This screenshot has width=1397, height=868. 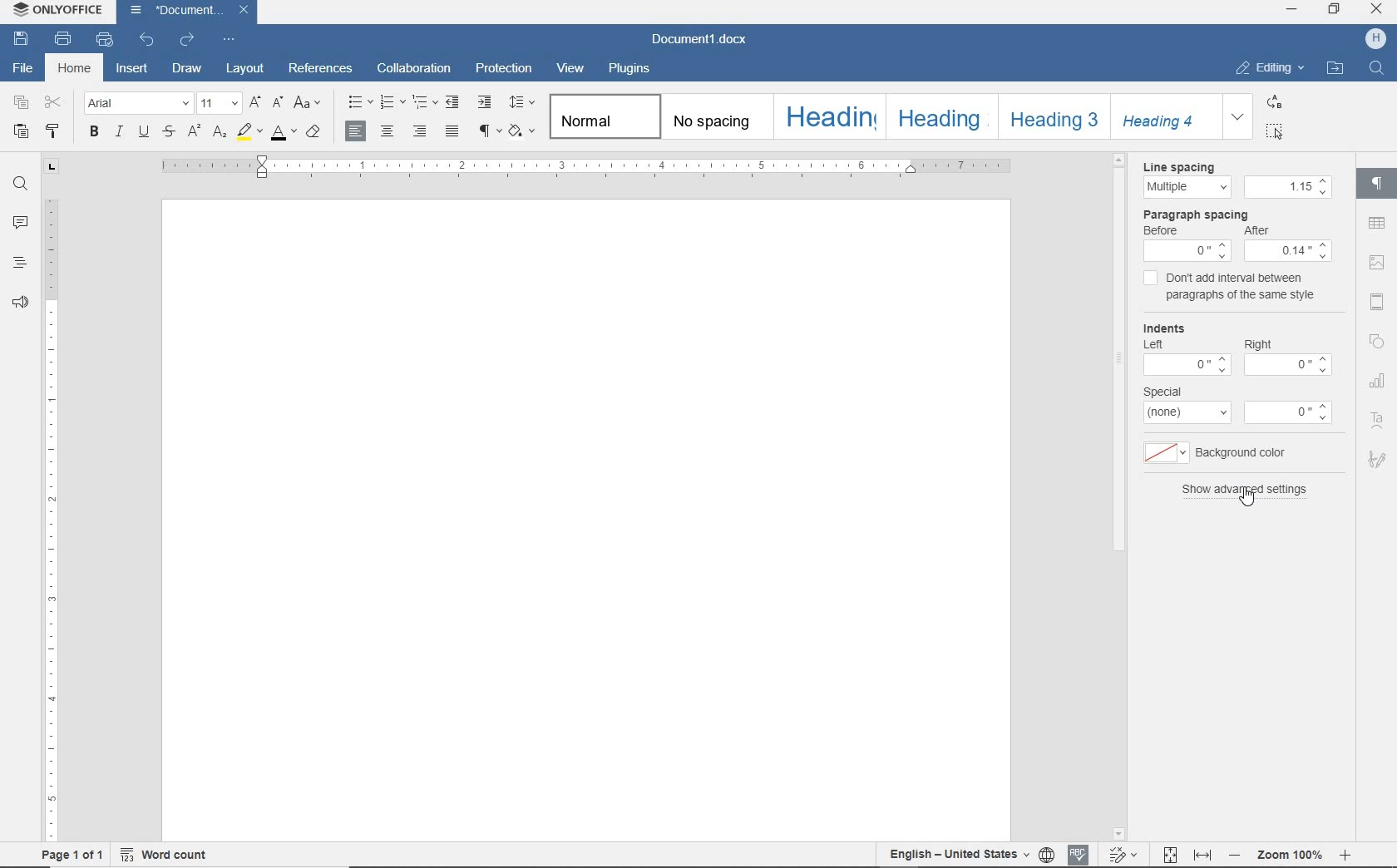 What do you see at coordinates (21, 131) in the screenshot?
I see `paste` at bounding box center [21, 131].